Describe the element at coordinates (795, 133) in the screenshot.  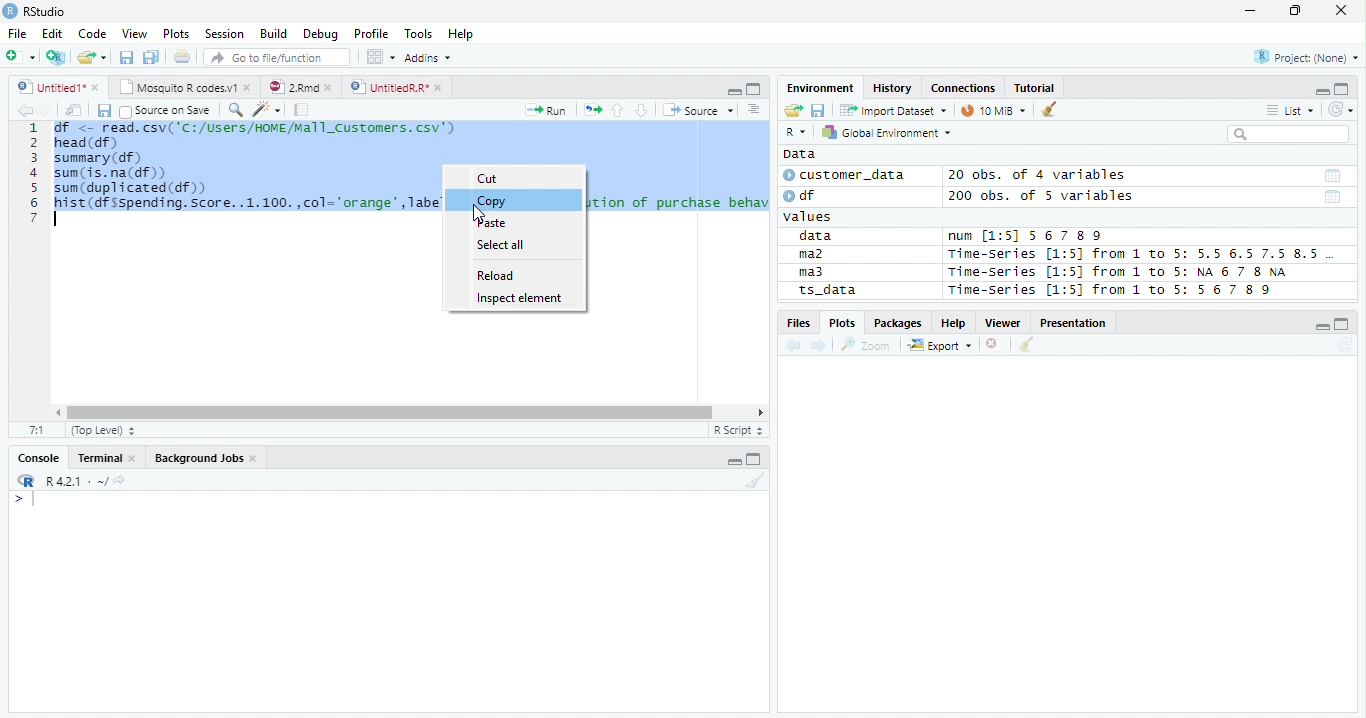
I see `R` at that location.